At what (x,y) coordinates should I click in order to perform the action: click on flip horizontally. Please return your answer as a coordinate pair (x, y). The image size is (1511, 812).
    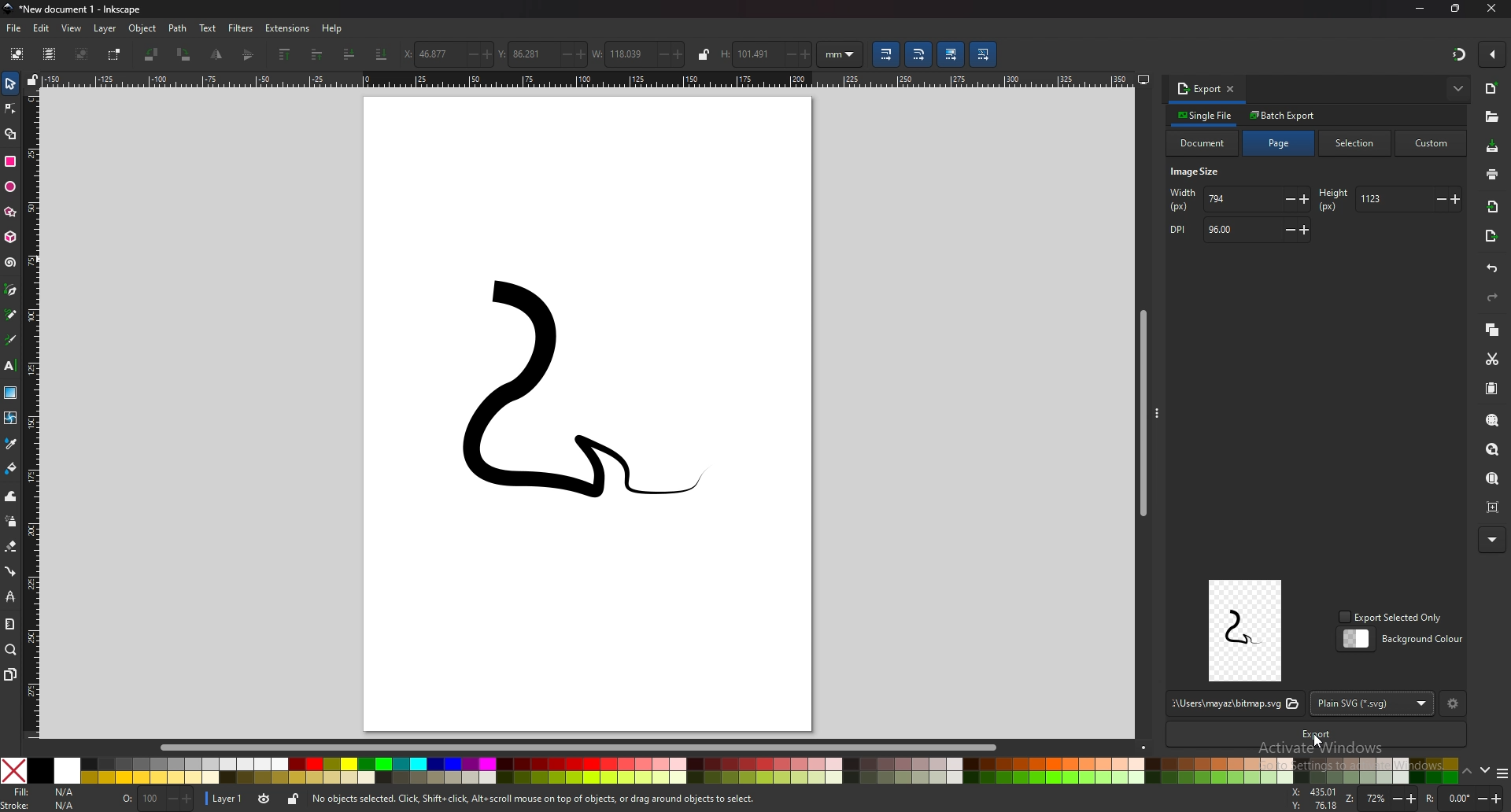
    Looking at the image, I should click on (249, 54).